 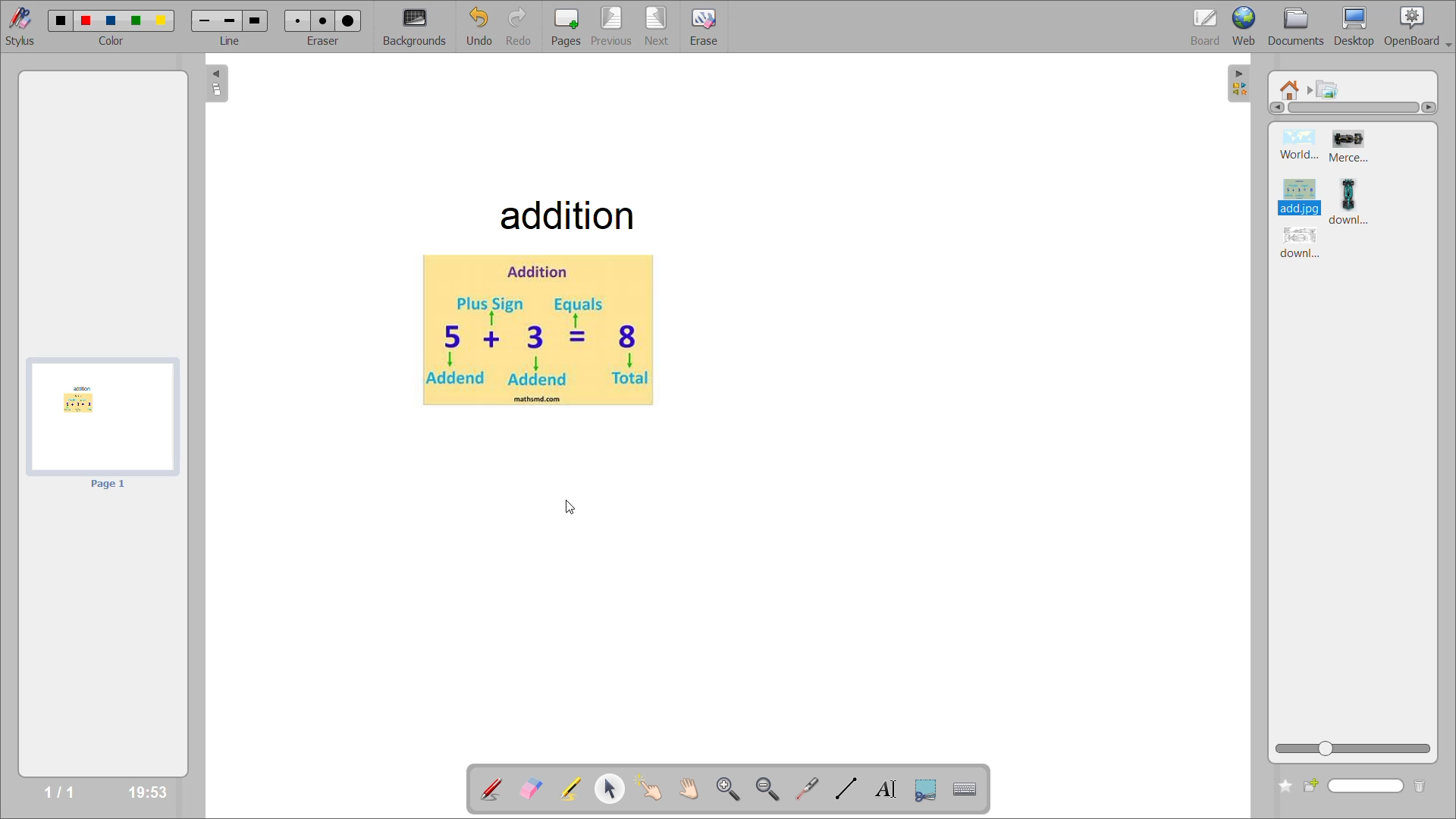 I want to click on next, so click(x=658, y=27).